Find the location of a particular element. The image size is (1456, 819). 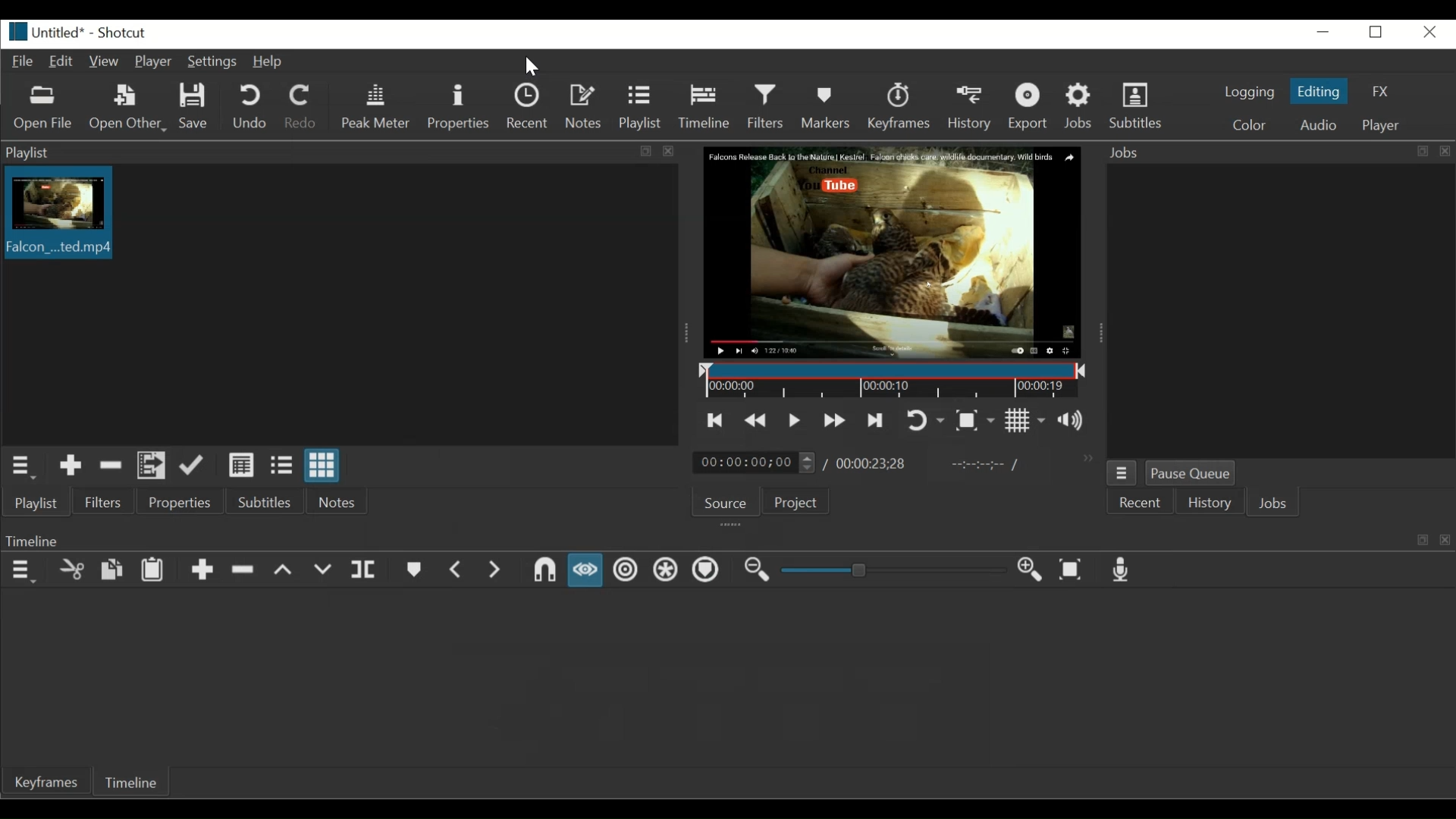

Player is located at coordinates (155, 63).